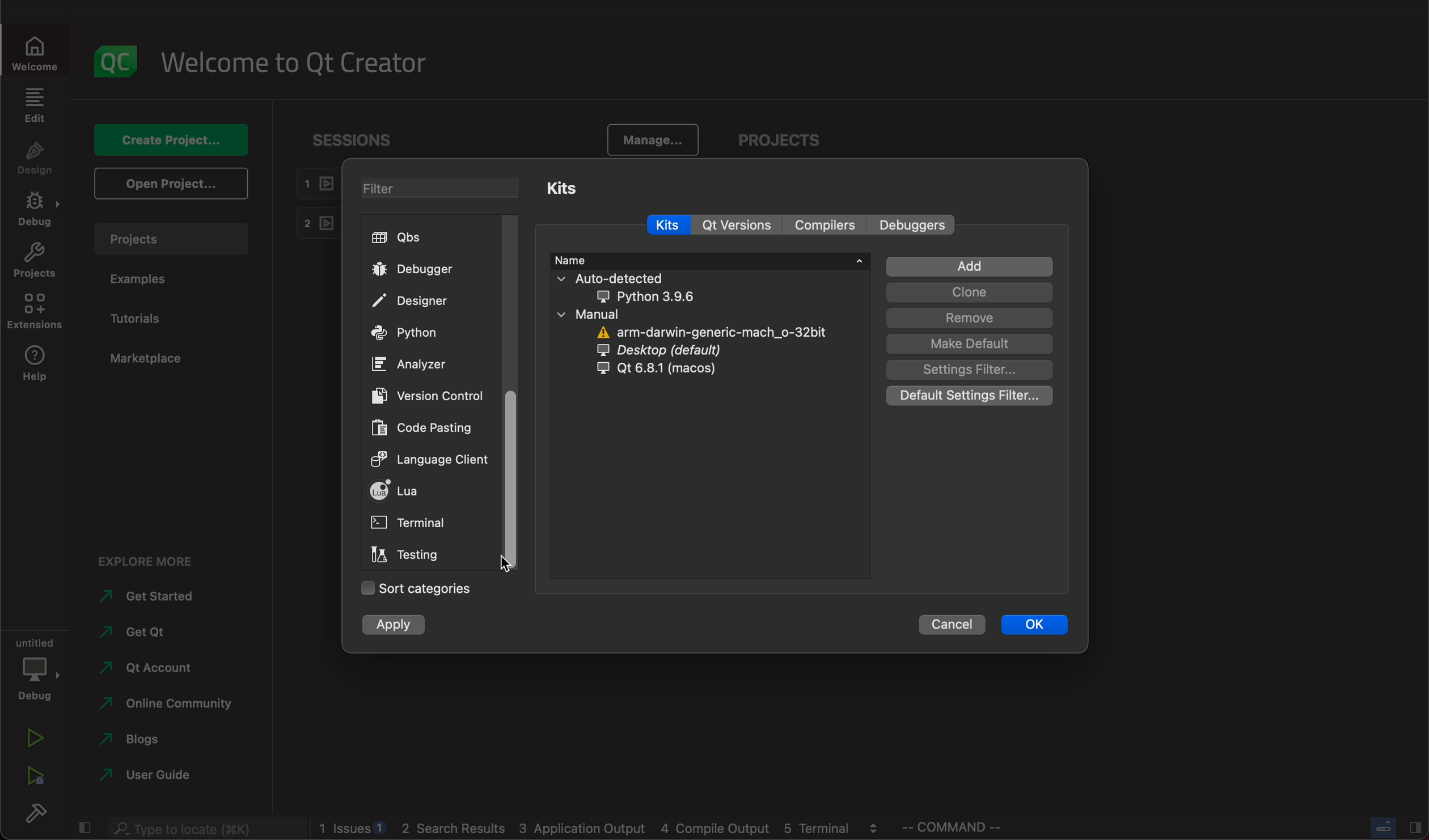  I want to click on testing, so click(407, 554).